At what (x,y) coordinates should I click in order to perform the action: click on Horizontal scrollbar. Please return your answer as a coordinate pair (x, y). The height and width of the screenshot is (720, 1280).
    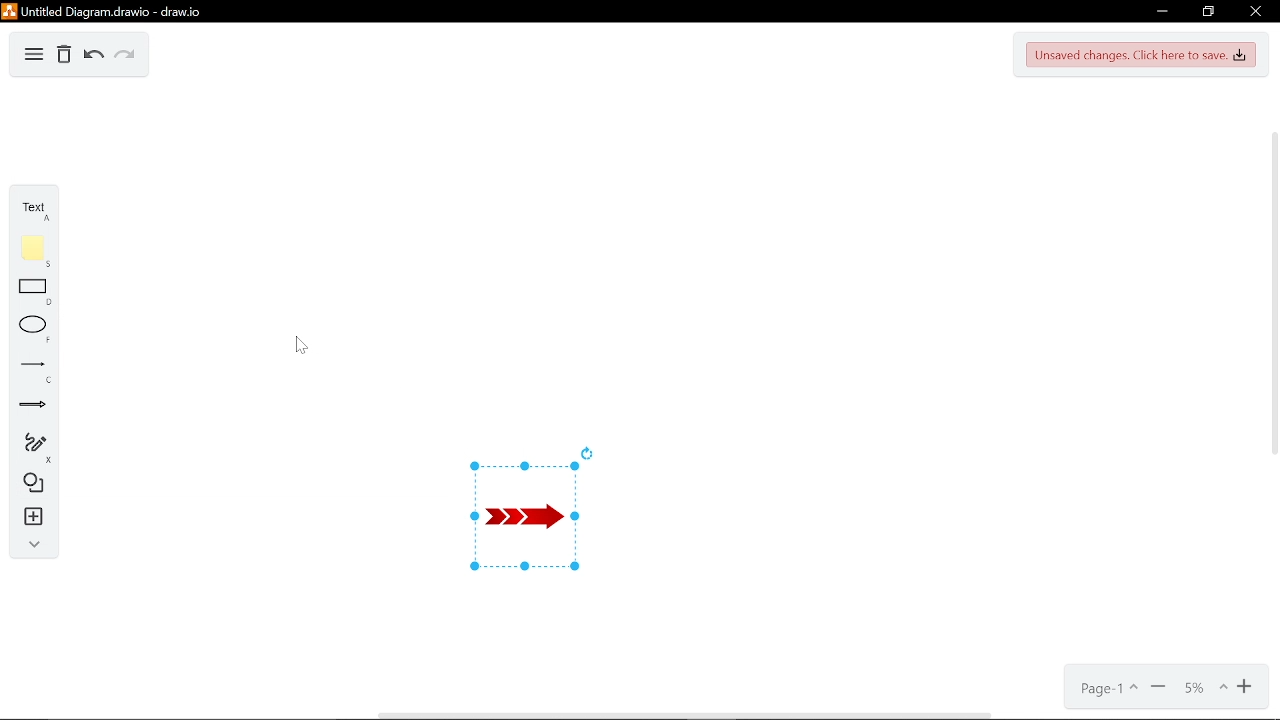
    Looking at the image, I should click on (742, 715).